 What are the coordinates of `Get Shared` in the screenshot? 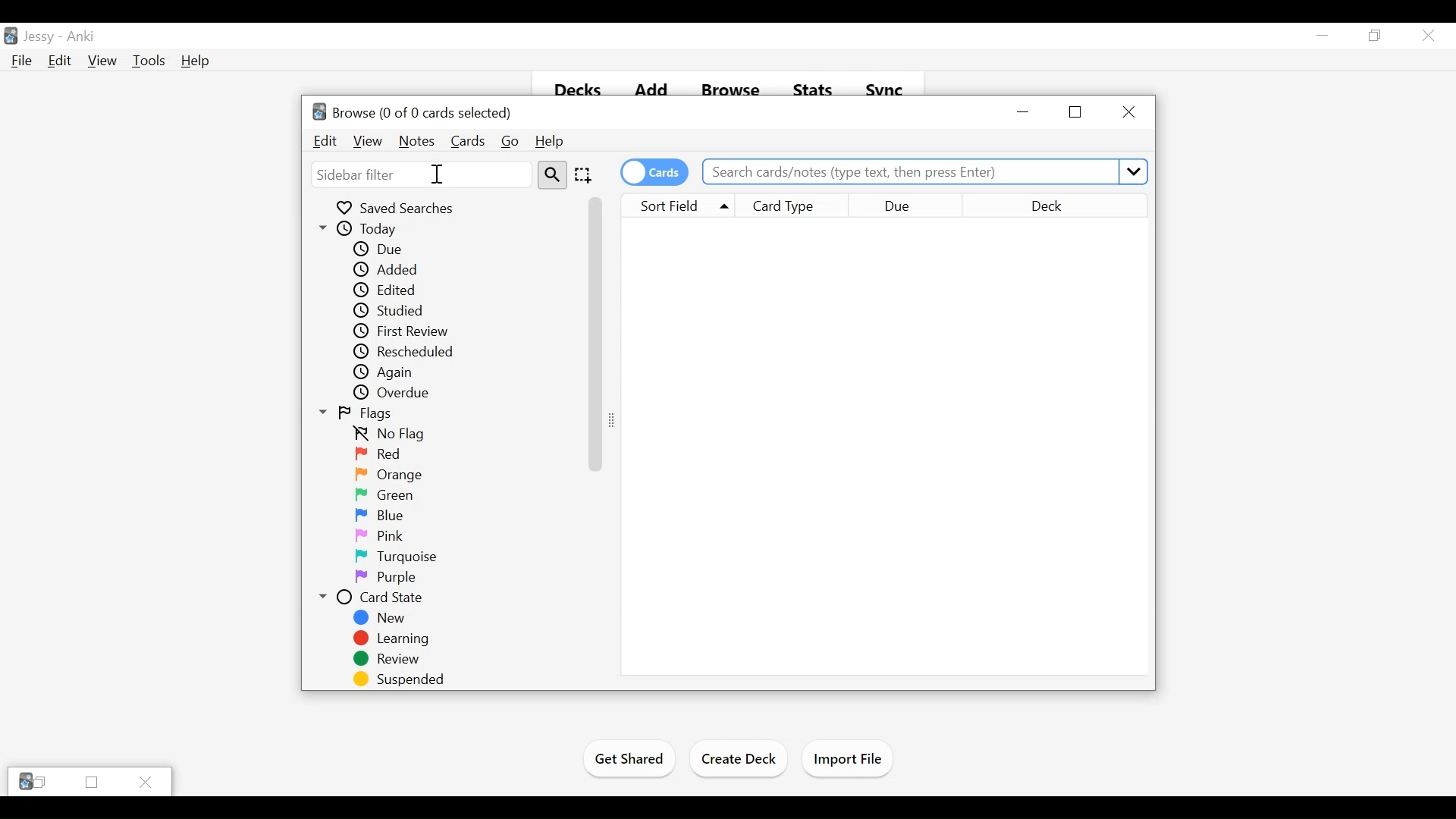 It's located at (629, 761).